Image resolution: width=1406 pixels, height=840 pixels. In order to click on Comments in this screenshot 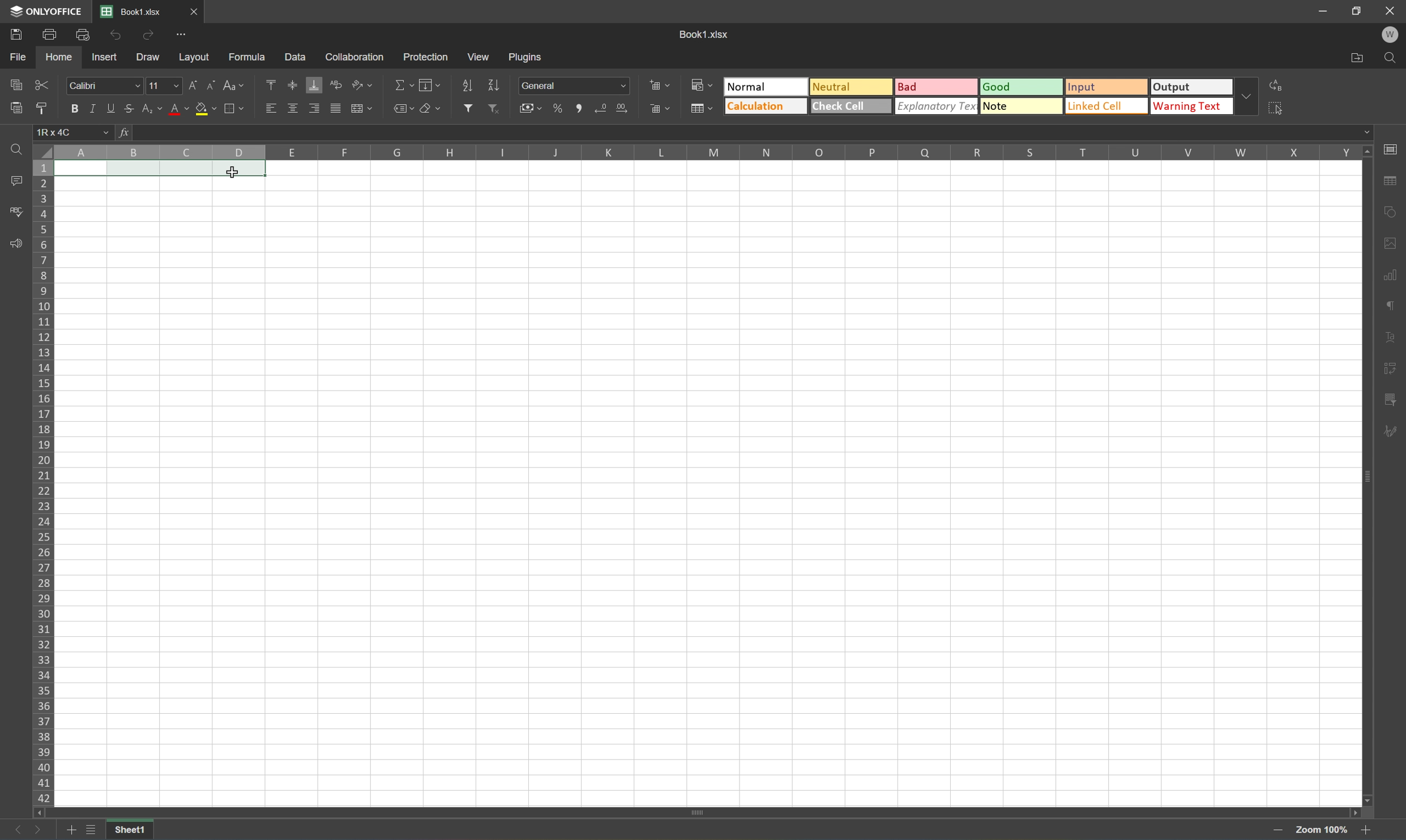, I will do `click(16, 180)`.